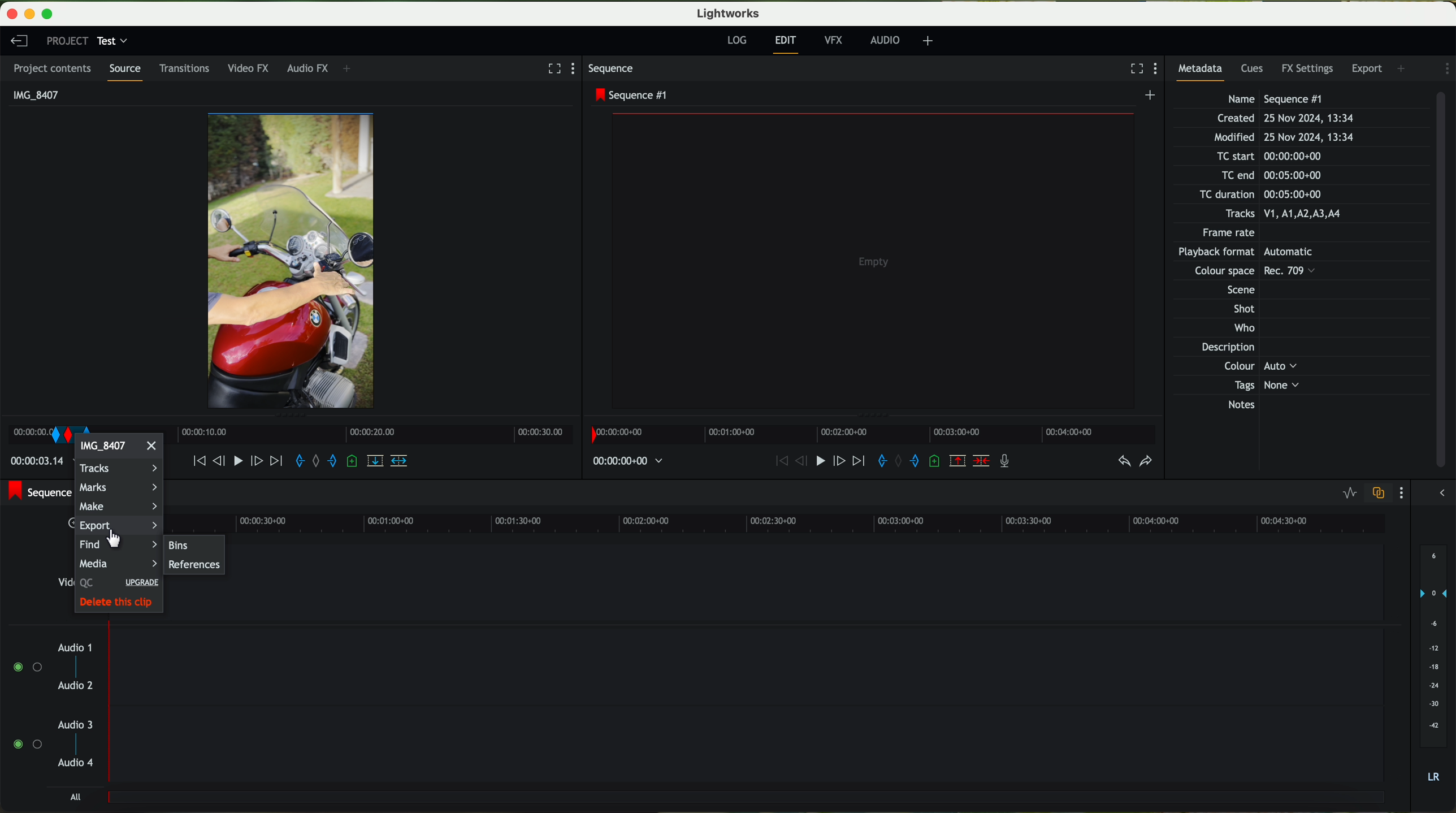 This screenshot has height=813, width=1456. I want to click on show settings menu, so click(578, 69).